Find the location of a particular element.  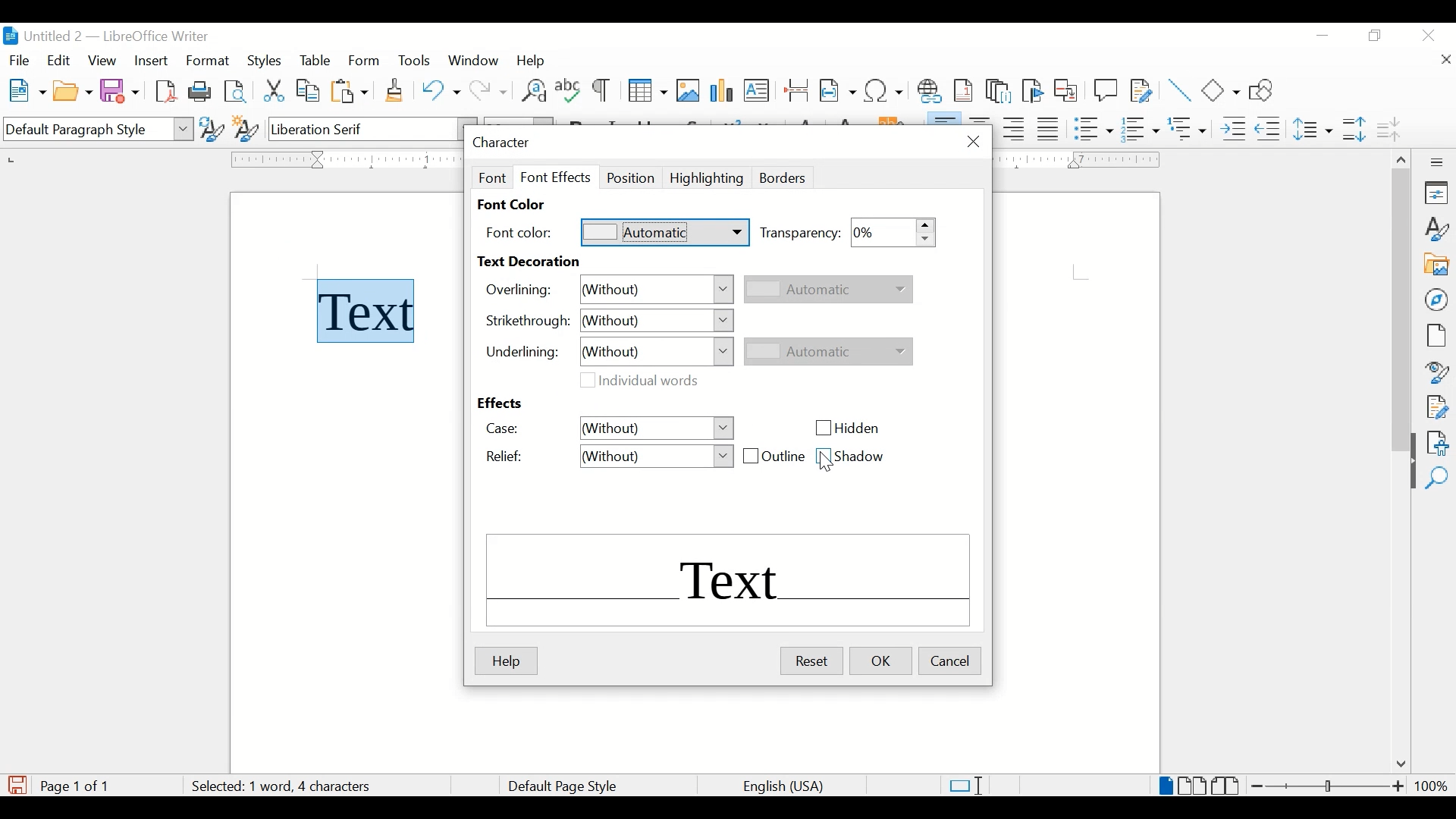

window is located at coordinates (475, 61).